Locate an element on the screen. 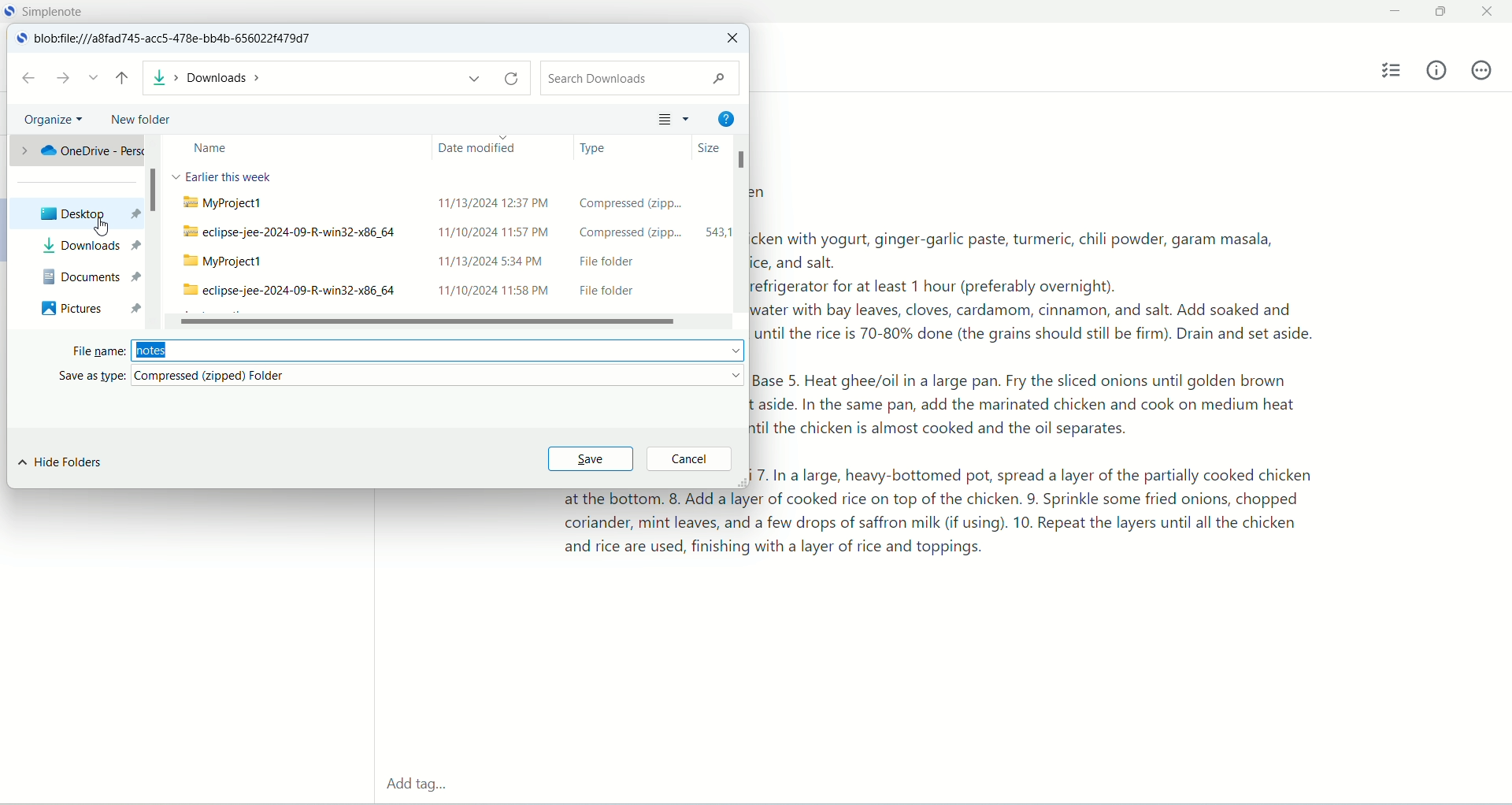  add tag is located at coordinates (414, 786).